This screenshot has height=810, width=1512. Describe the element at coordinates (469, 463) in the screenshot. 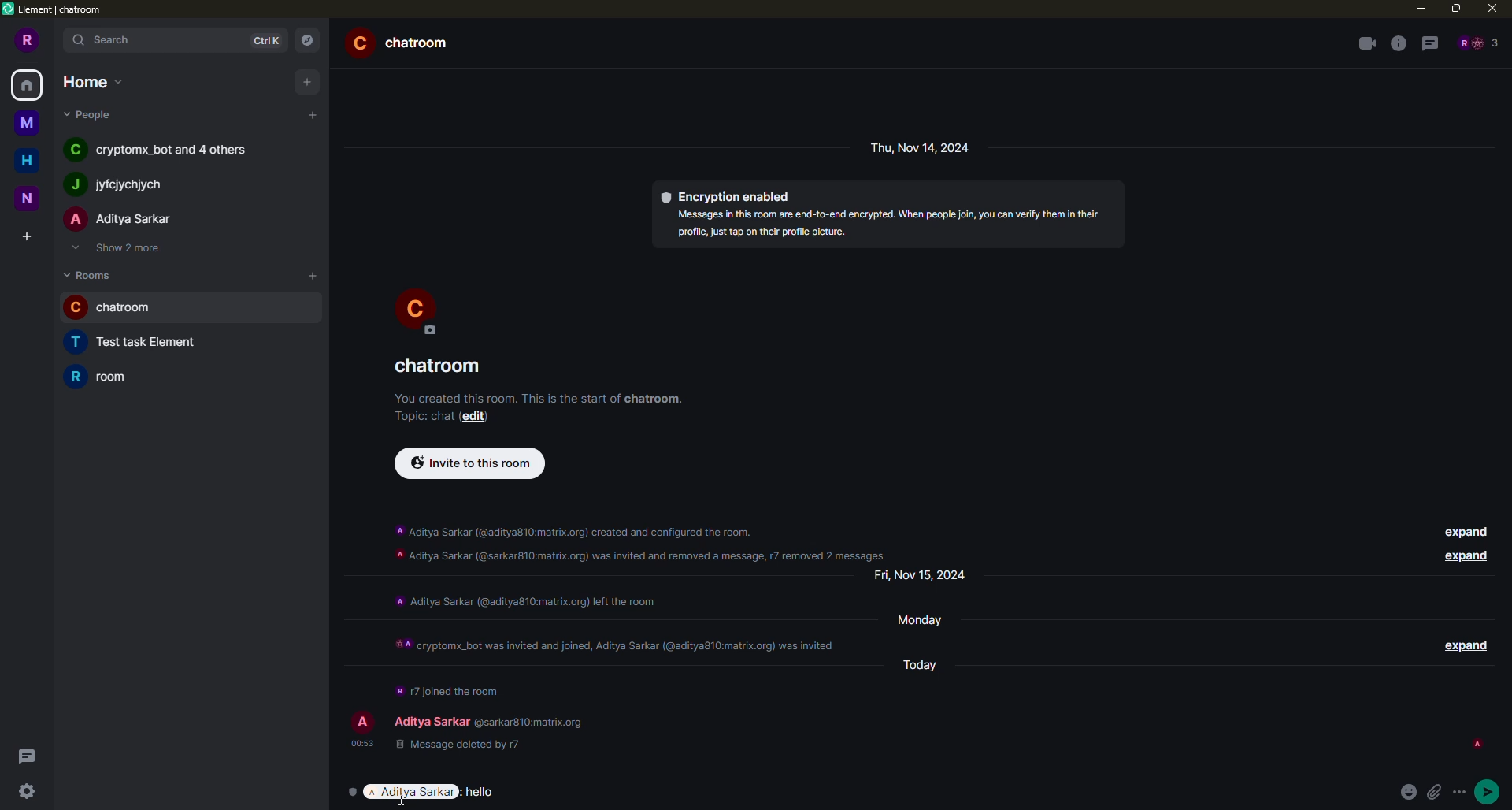

I see `invite to this room` at that location.